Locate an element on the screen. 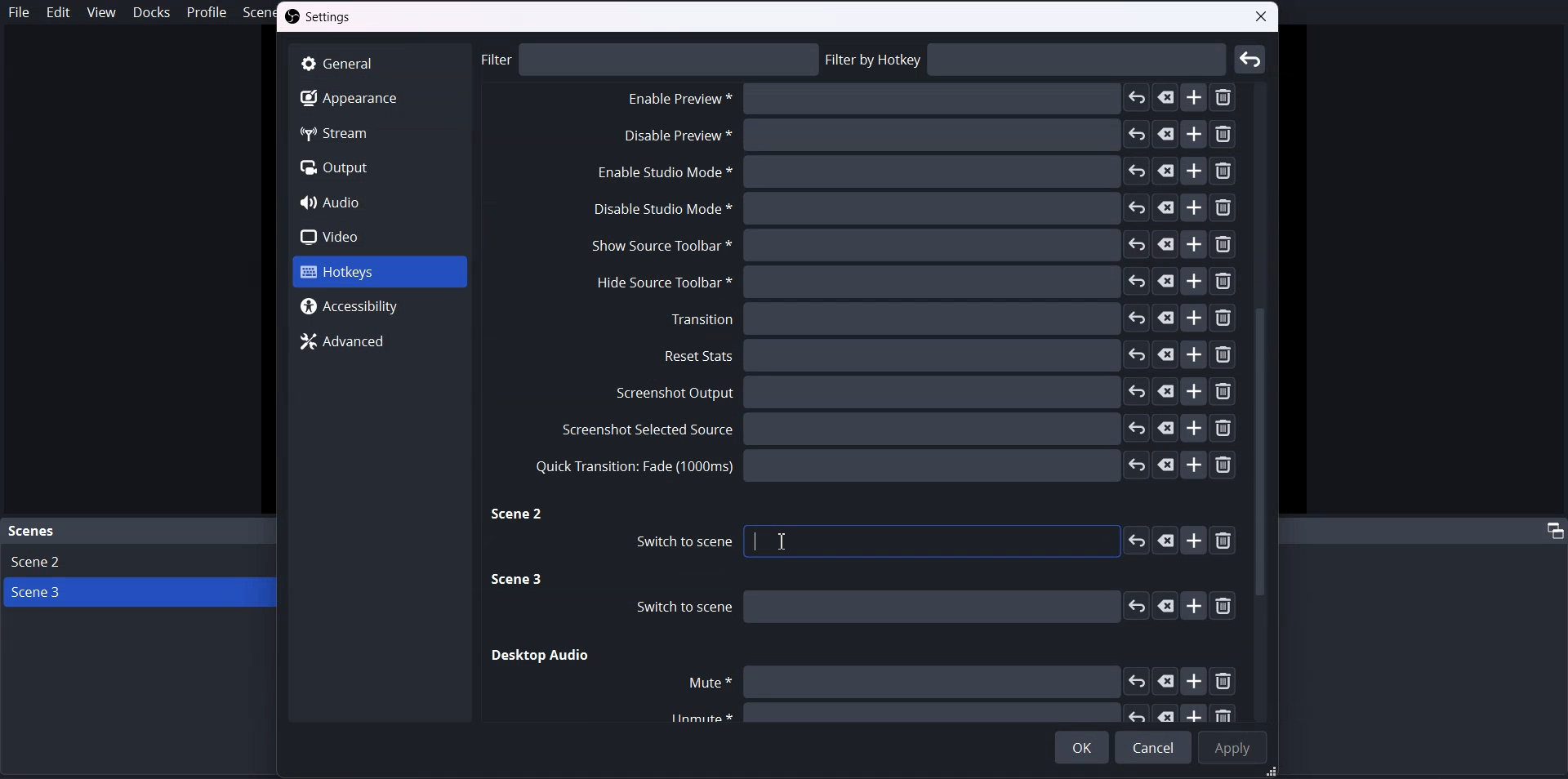 Image resolution: width=1568 pixels, height=779 pixels. Disable studio mode is located at coordinates (913, 209).